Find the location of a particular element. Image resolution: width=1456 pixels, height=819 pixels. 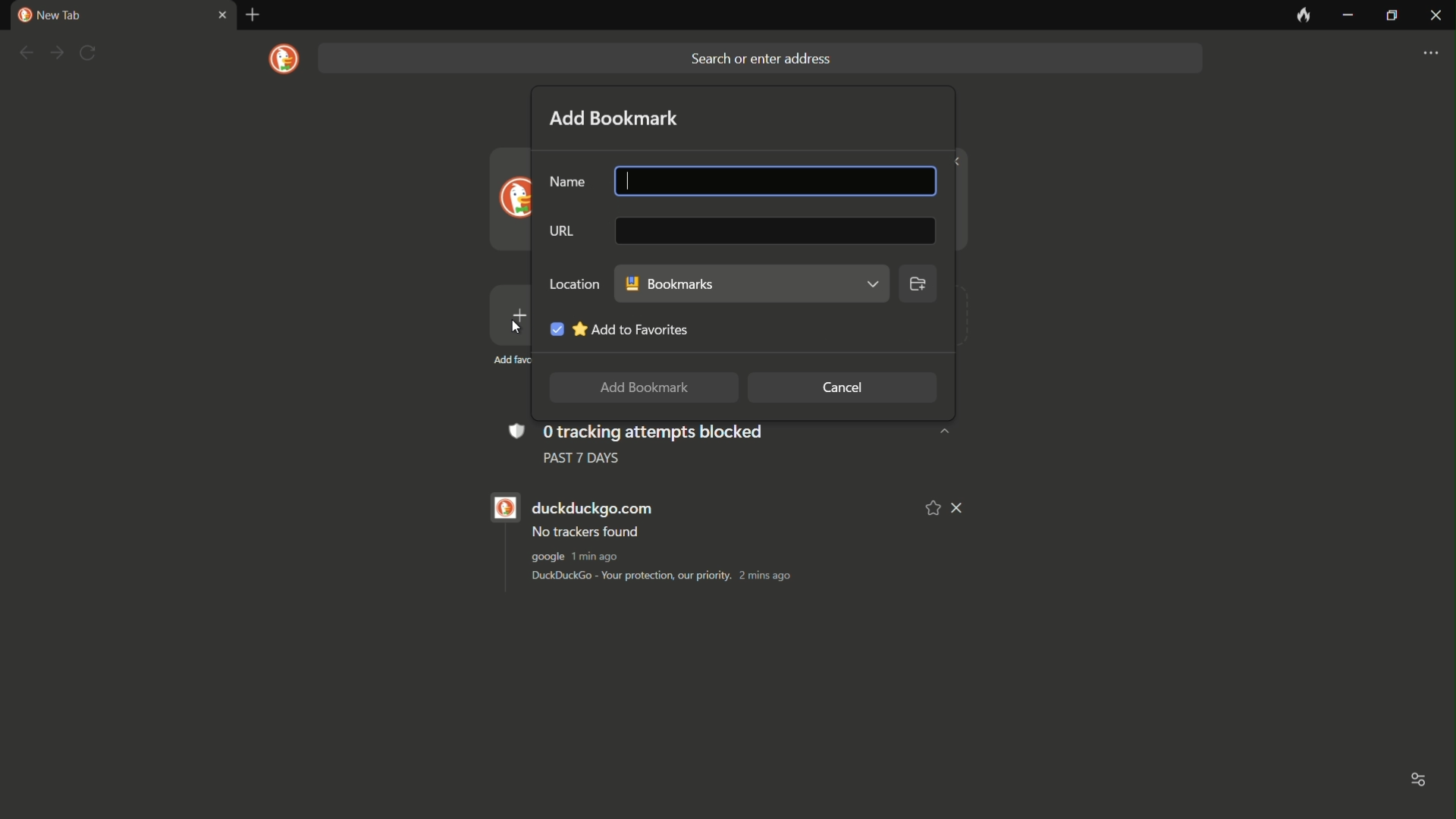

close tab is located at coordinates (221, 16).